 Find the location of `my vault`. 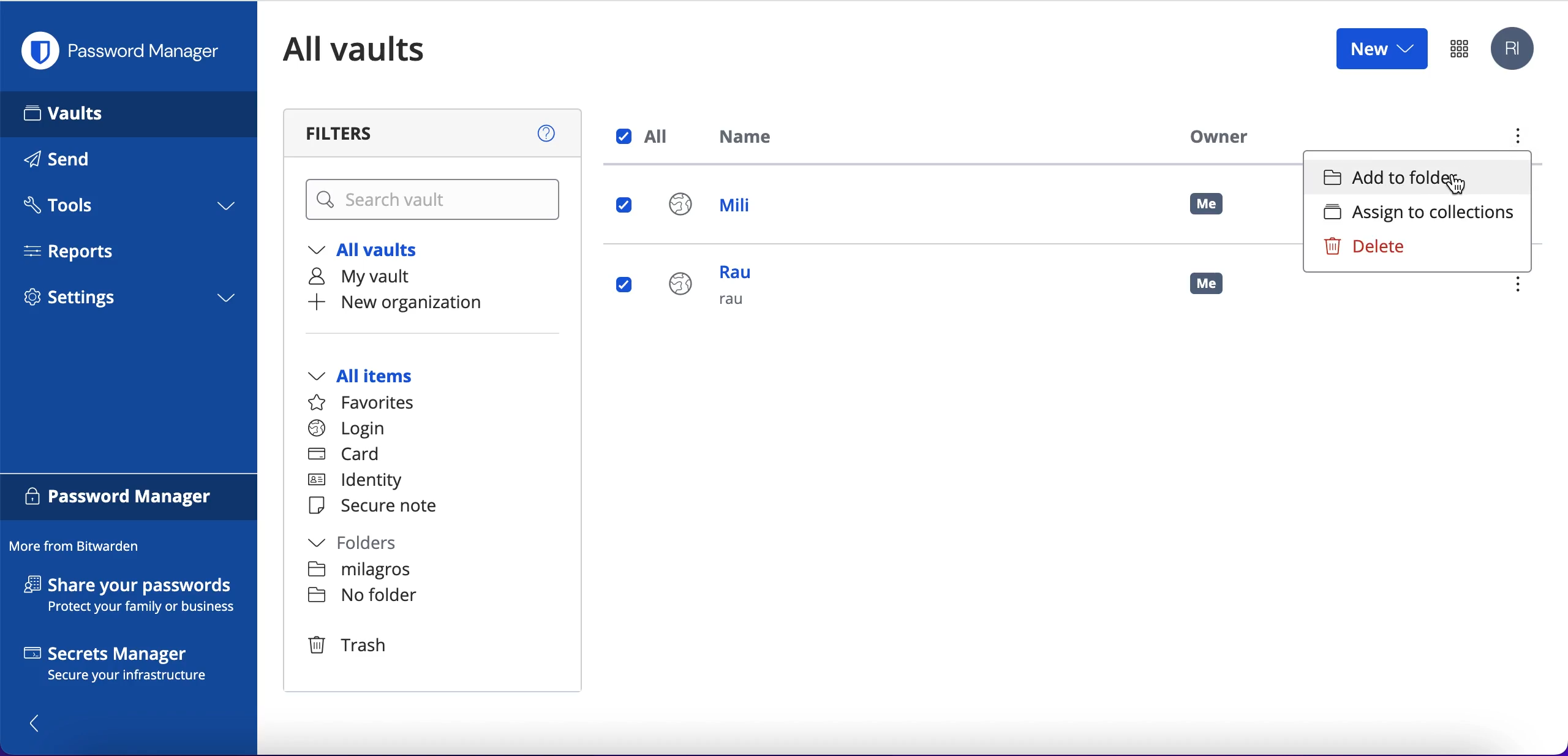

my vault is located at coordinates (372, 278).